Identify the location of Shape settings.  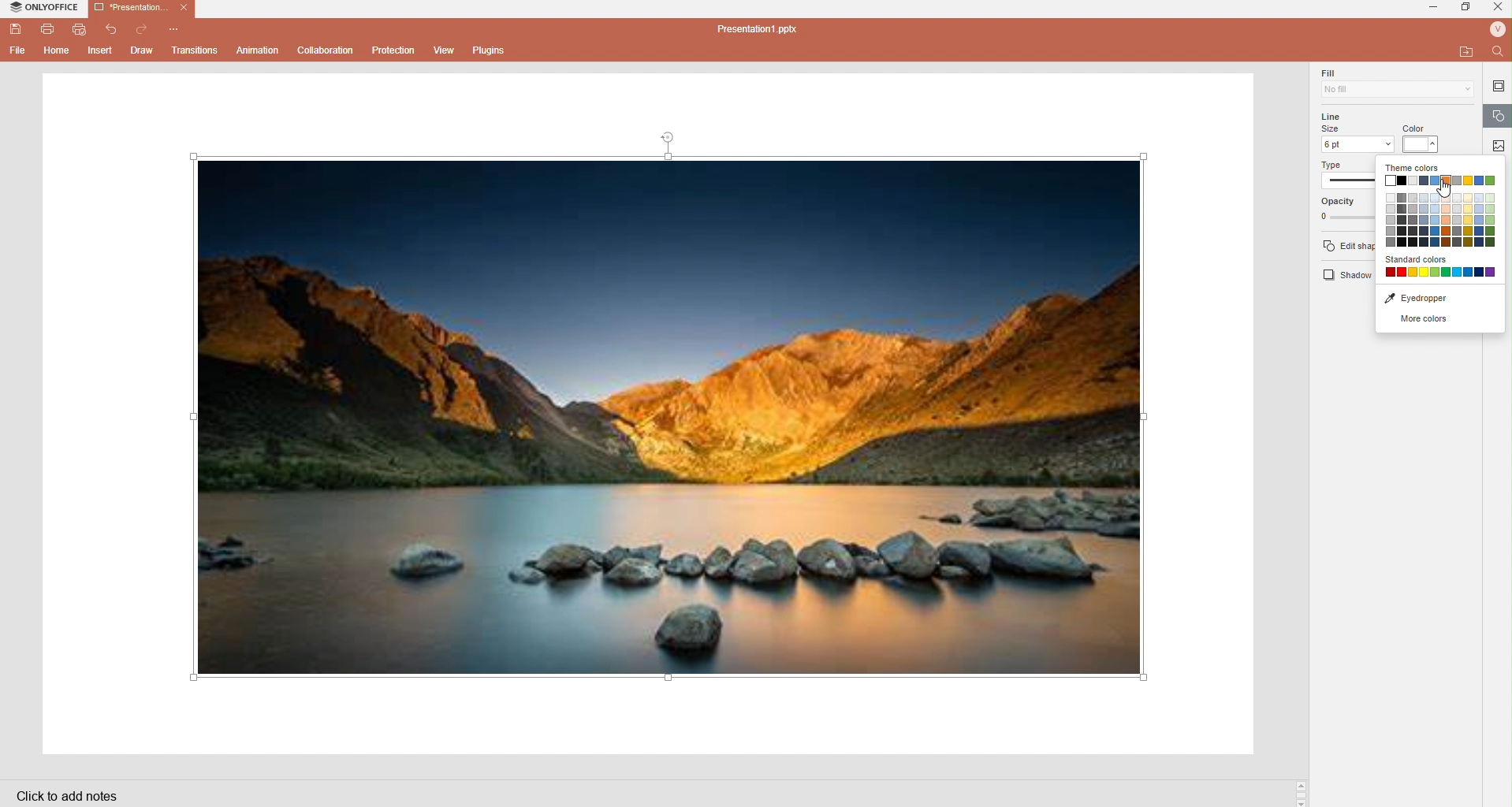
(1499, 117).